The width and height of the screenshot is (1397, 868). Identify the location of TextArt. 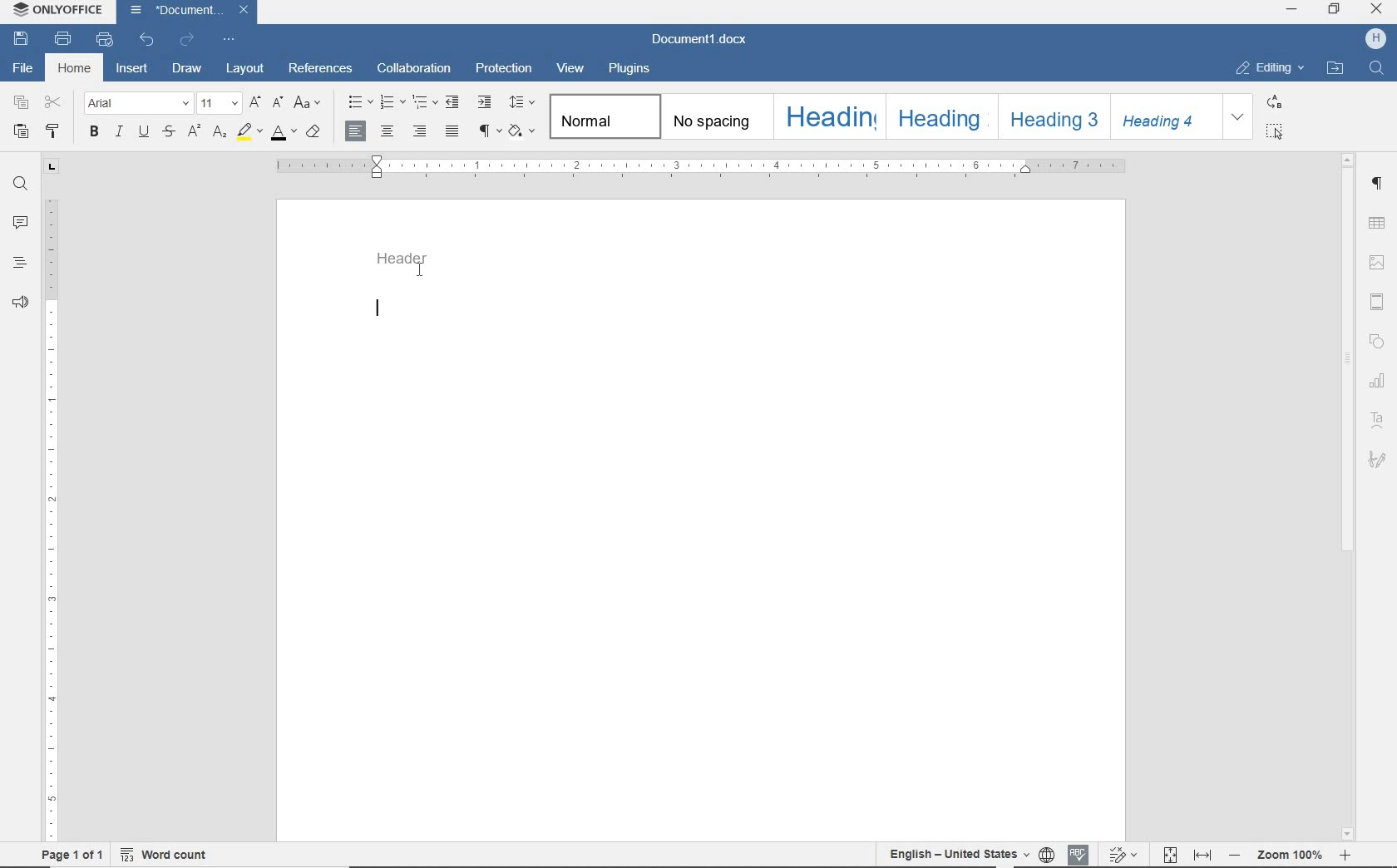
(1377, 419).